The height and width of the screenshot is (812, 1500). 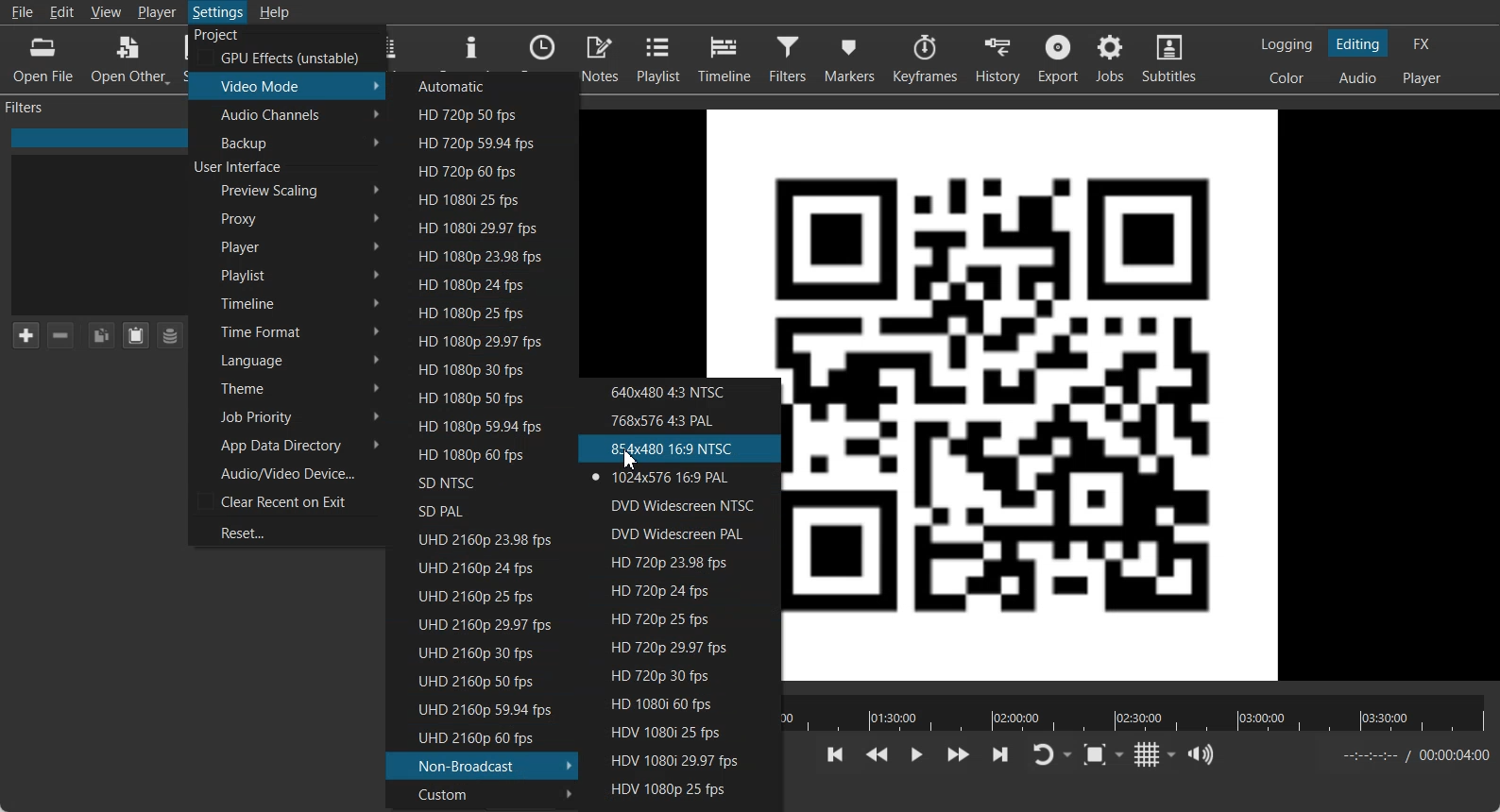 I want to click on Timeline, so click(x=287, y=301).